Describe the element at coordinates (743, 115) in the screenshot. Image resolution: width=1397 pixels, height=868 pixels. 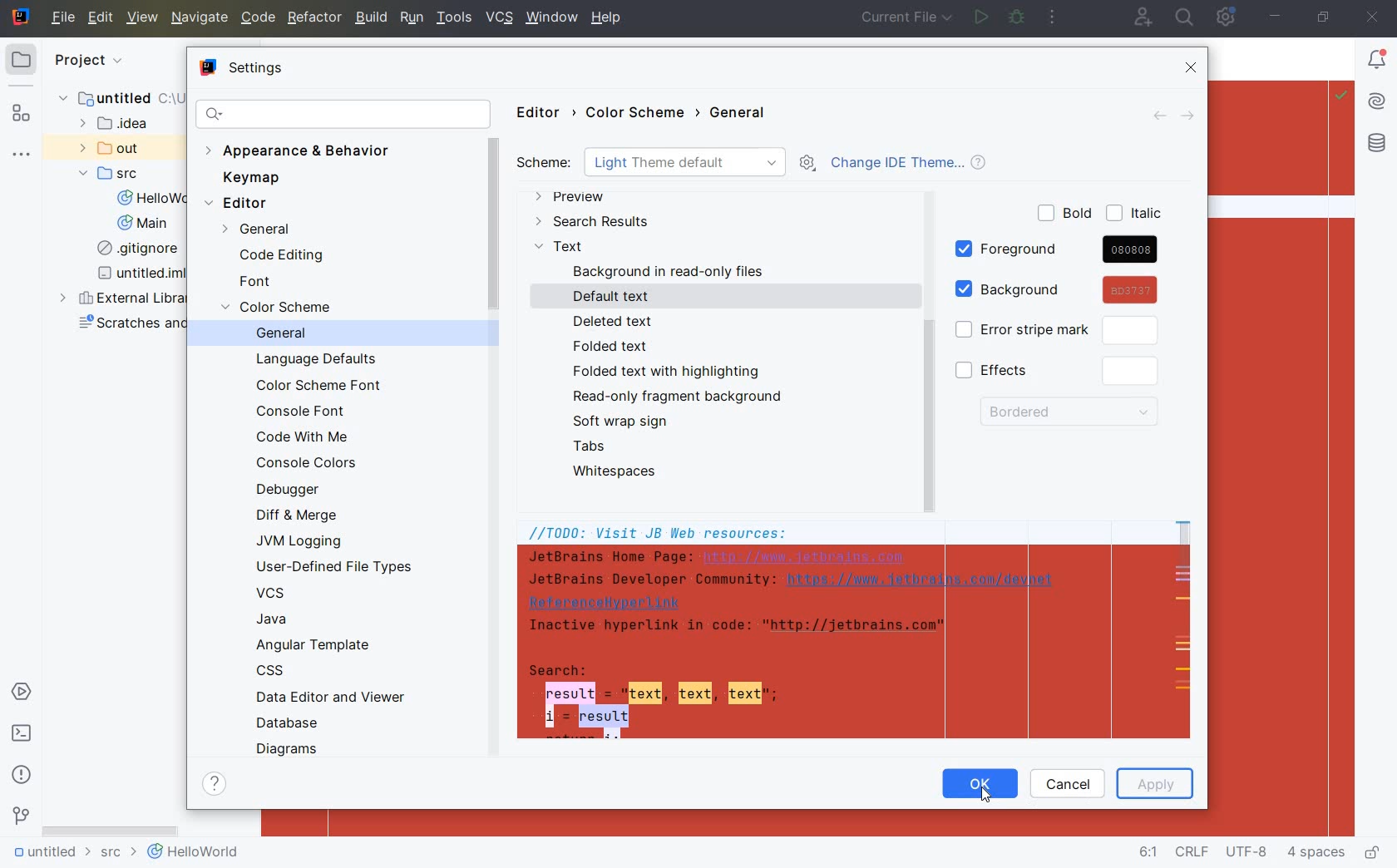
I see `GENERAL` at that location.